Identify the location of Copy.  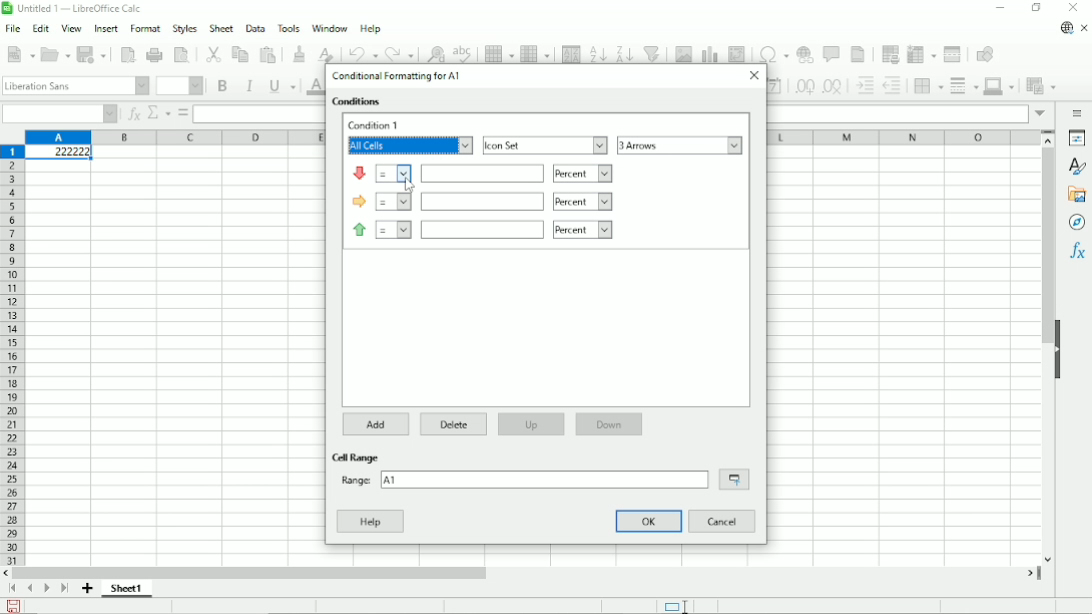
(239, 53).